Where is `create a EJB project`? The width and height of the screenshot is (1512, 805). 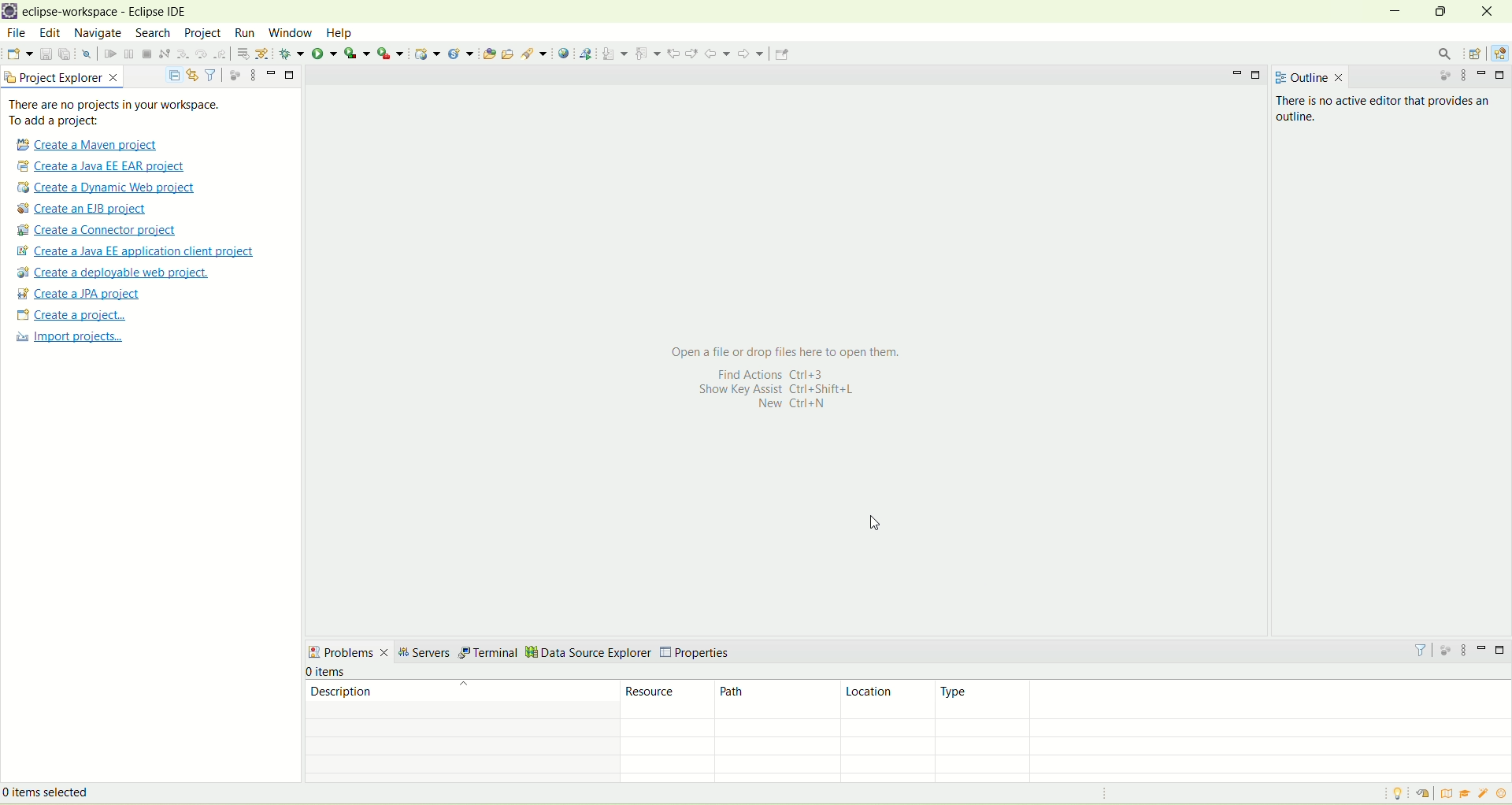
create a EJB project is located at coordinates (86, 210).